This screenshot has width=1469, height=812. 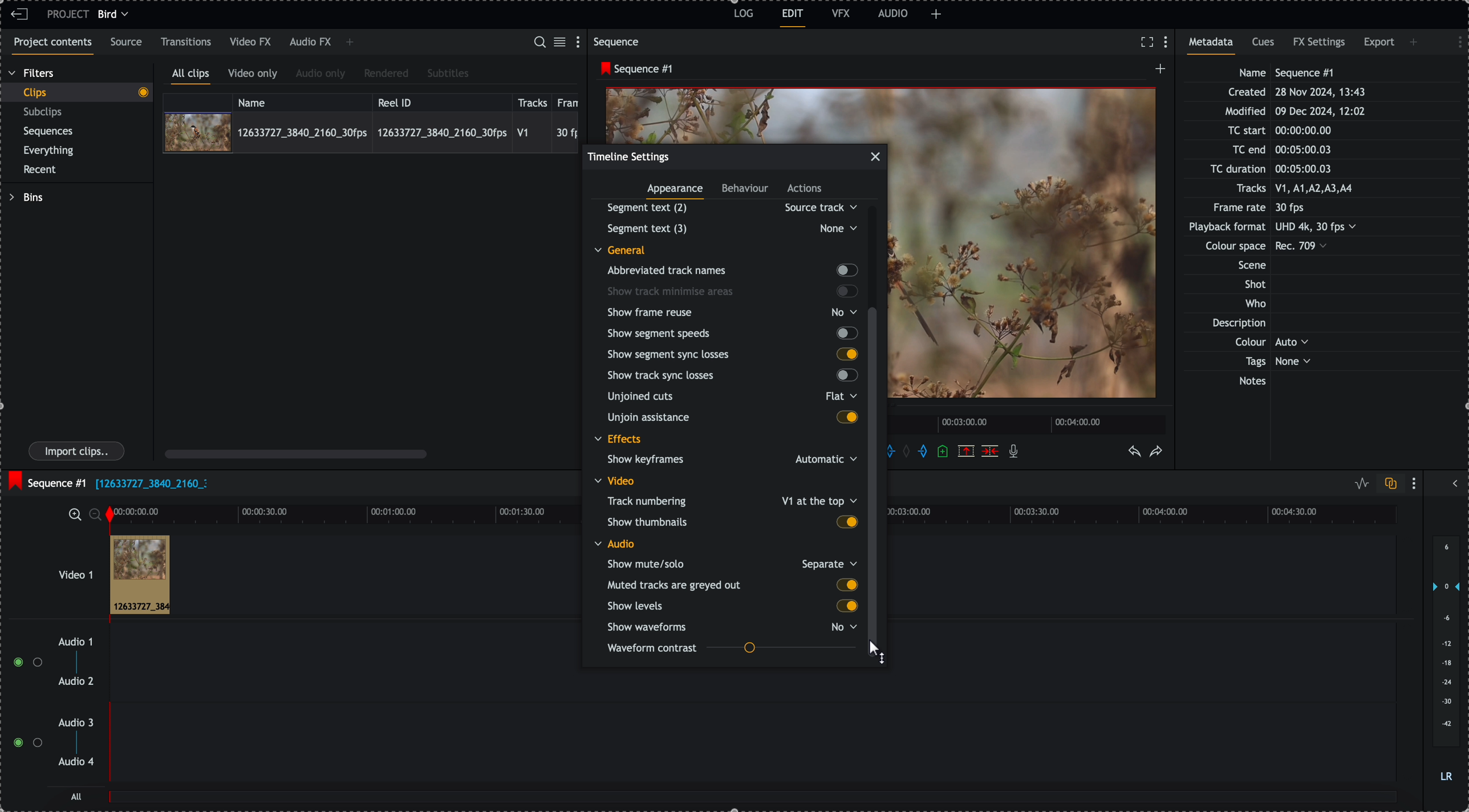 What do you see at coordinates (42, 170) in the screenshot?
I see `recent` at bounding box center [42, 170].